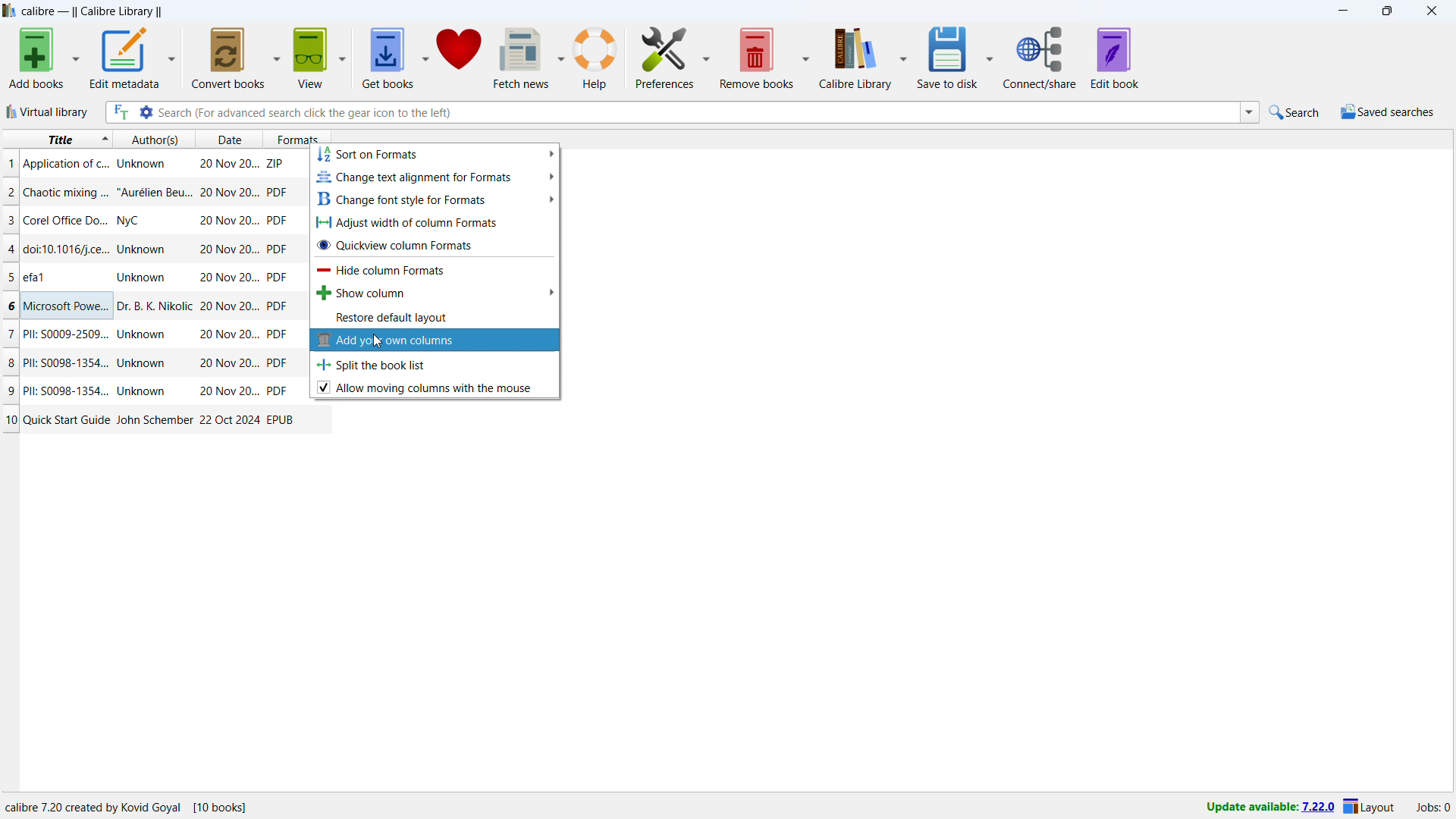 This screenshot has height=819, width=1456. What do you see at coordinates (435, 316) in the screenshot?
I see `restore default layout` at bounding box center [435, 316].